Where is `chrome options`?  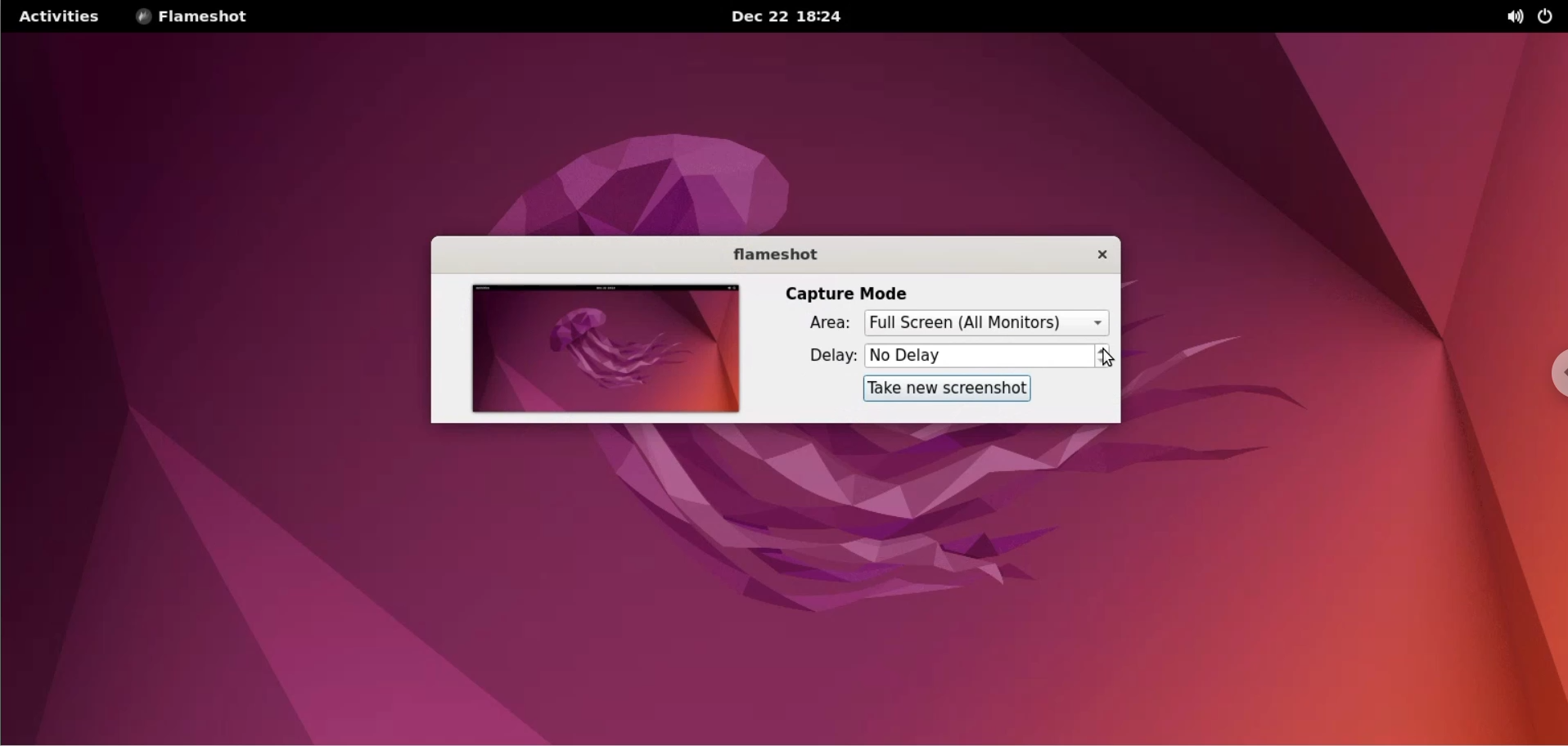
chrome options is located at coordinates (1548, 361).